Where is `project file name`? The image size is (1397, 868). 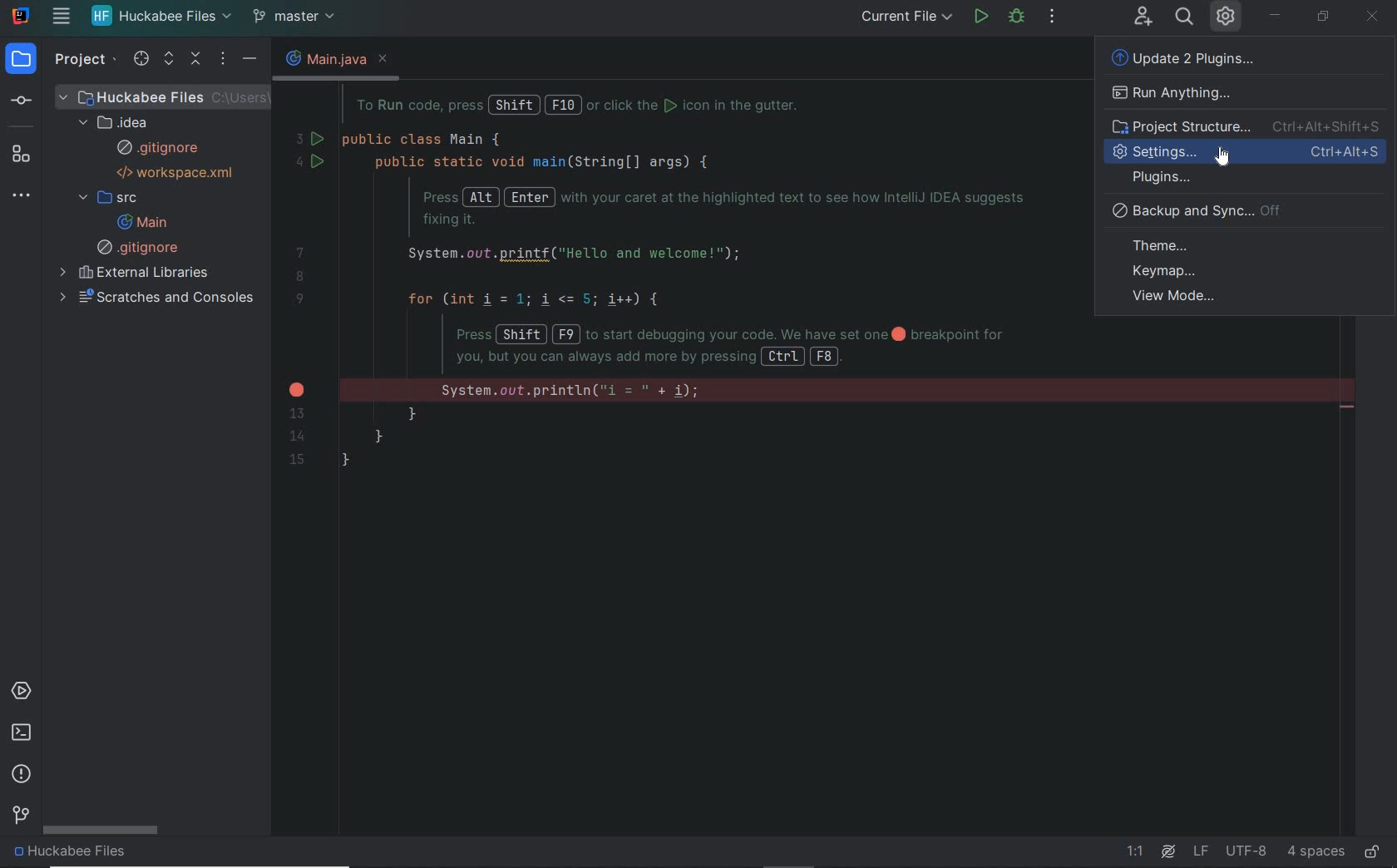 project file name is located at coordinates (161, 17).